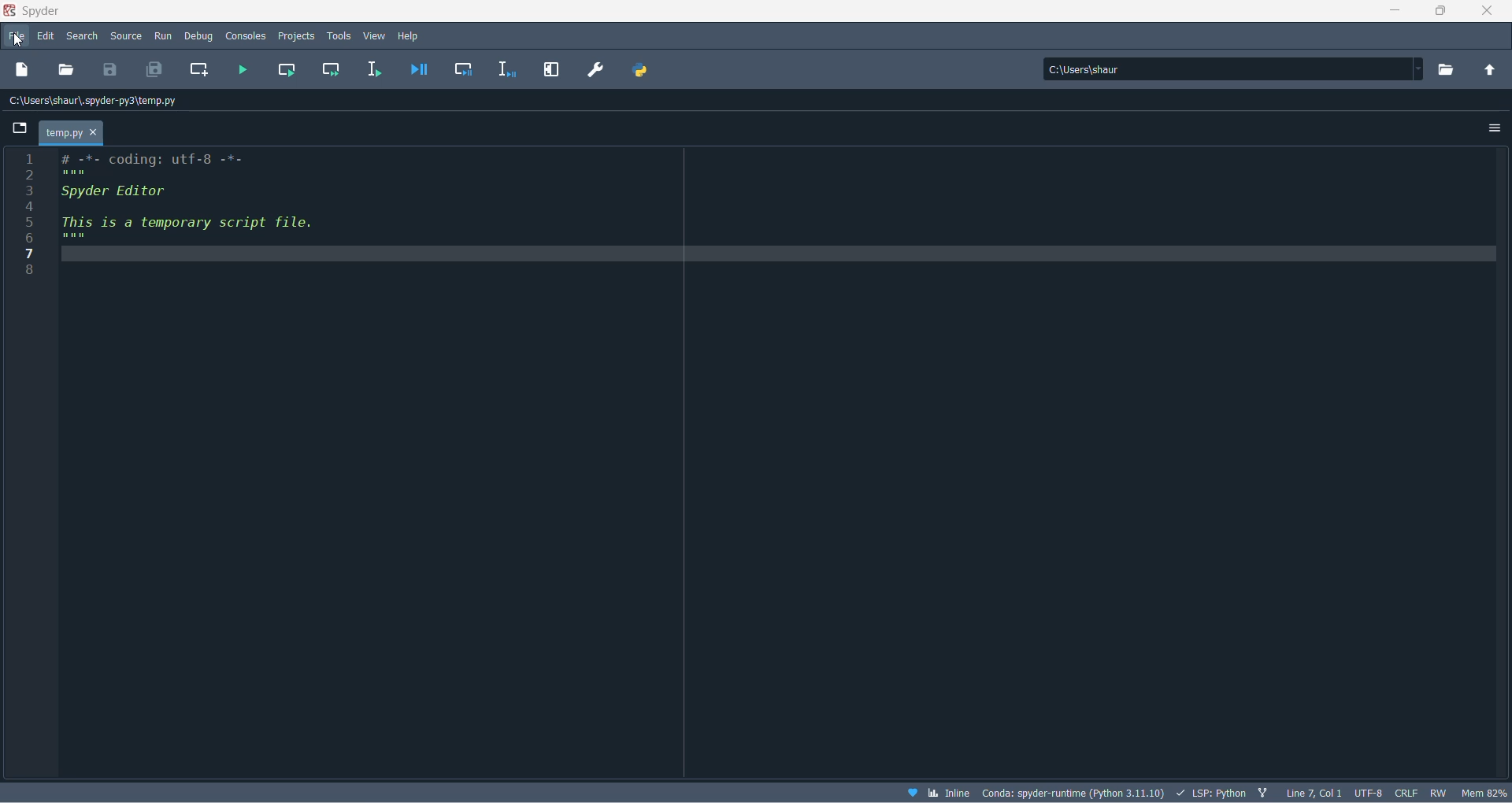  Describe the element at coordinates (20, 37) in the screenshot. I see `file` at that location.